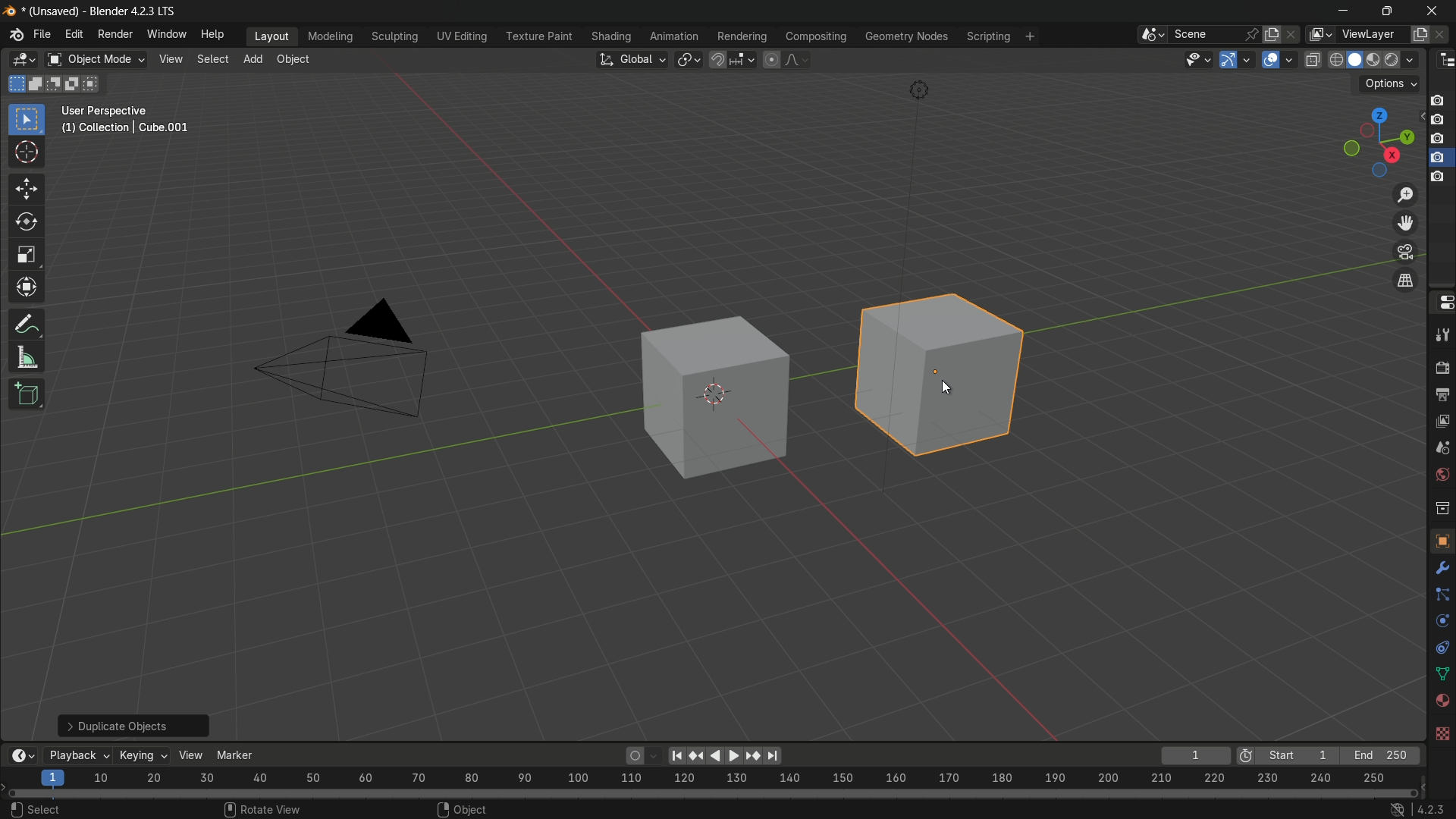 The width and height of the screenshot is (1456, 819). What do you see at coordinates (707, 780) in the screenshot?
I see `measuring scale` at bounding box center [707, 780].